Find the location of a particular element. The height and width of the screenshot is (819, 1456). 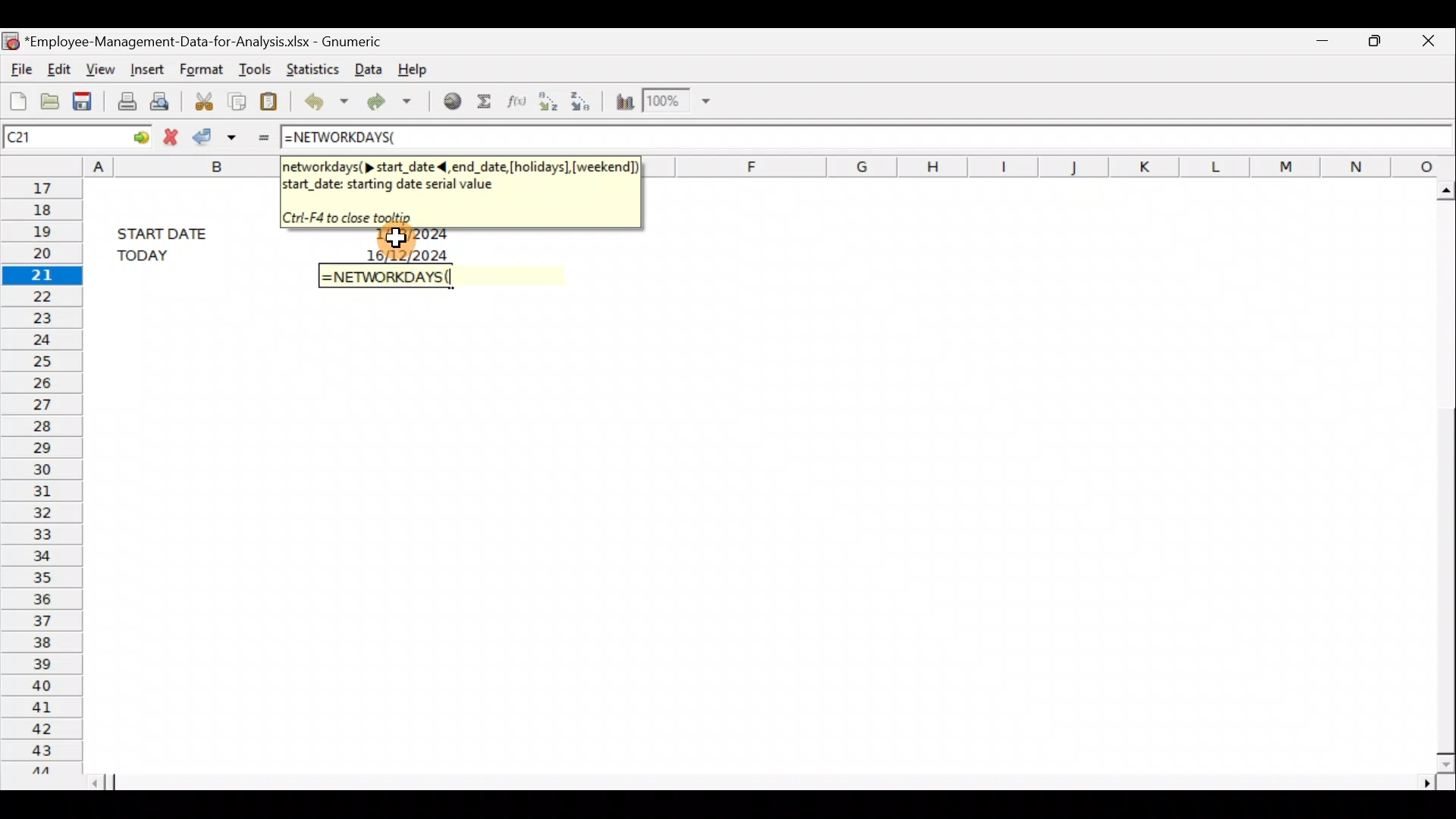

GO TO is located at coordinates (127, 136).